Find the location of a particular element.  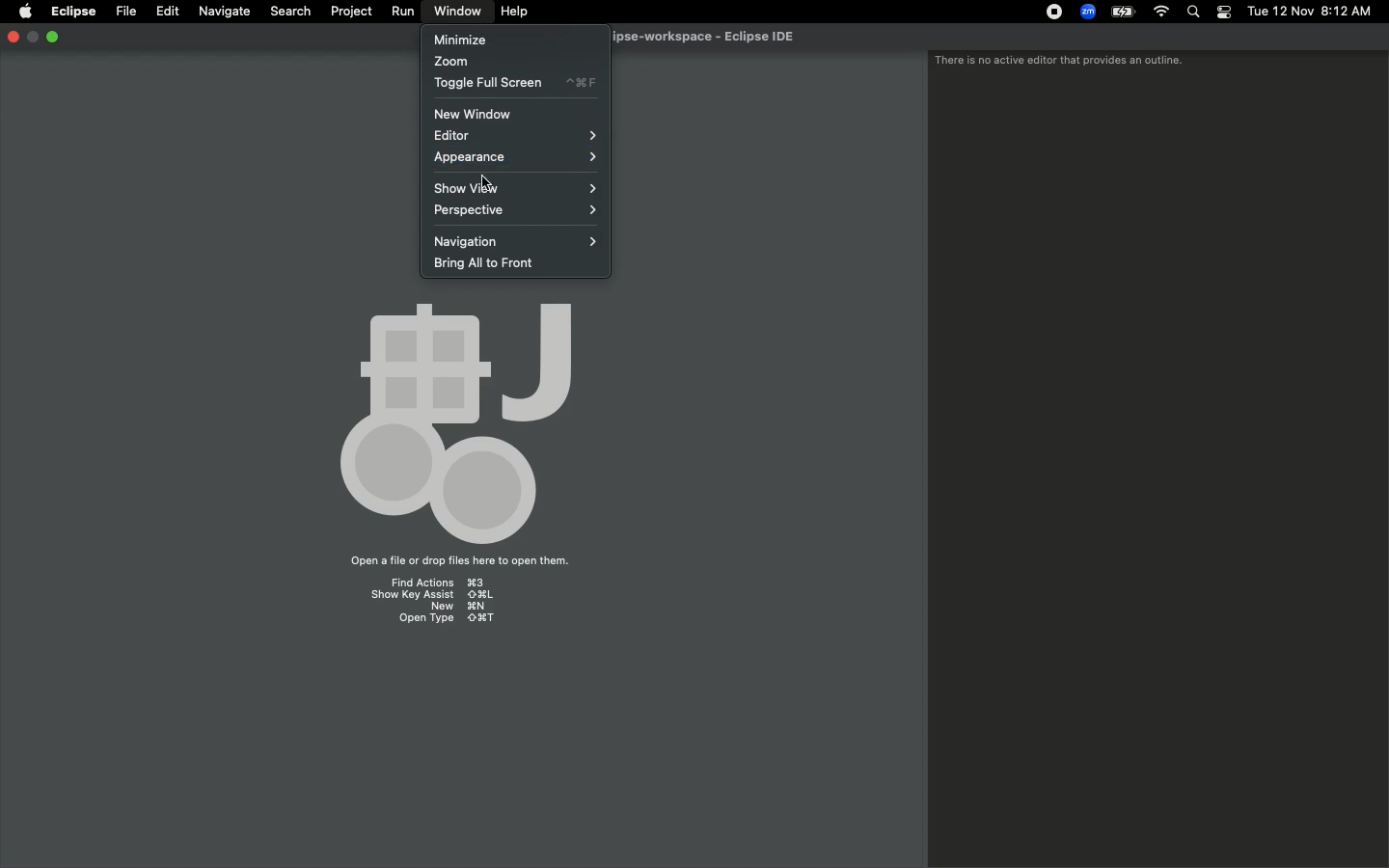

Eclipse IDE workspace is located at coordinates (712, 37).